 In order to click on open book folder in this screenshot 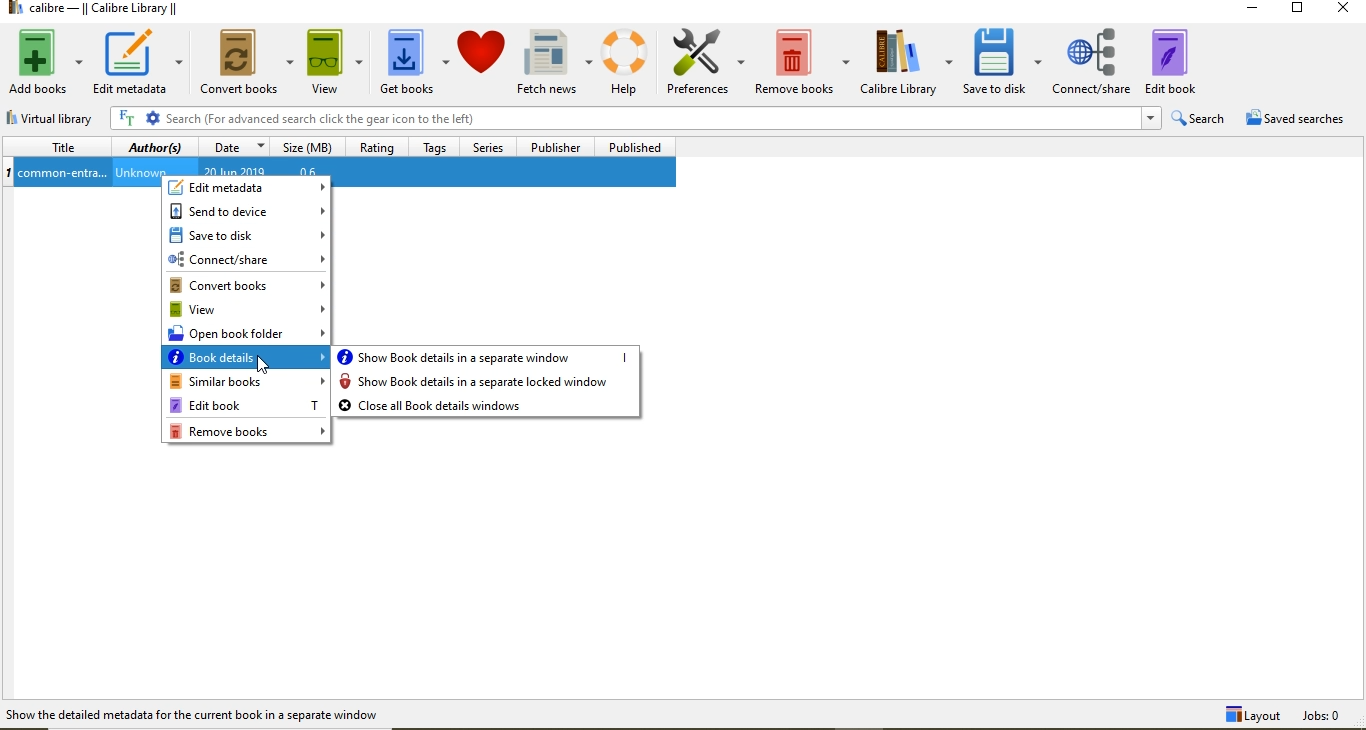, I will do `click(249, 335)`.